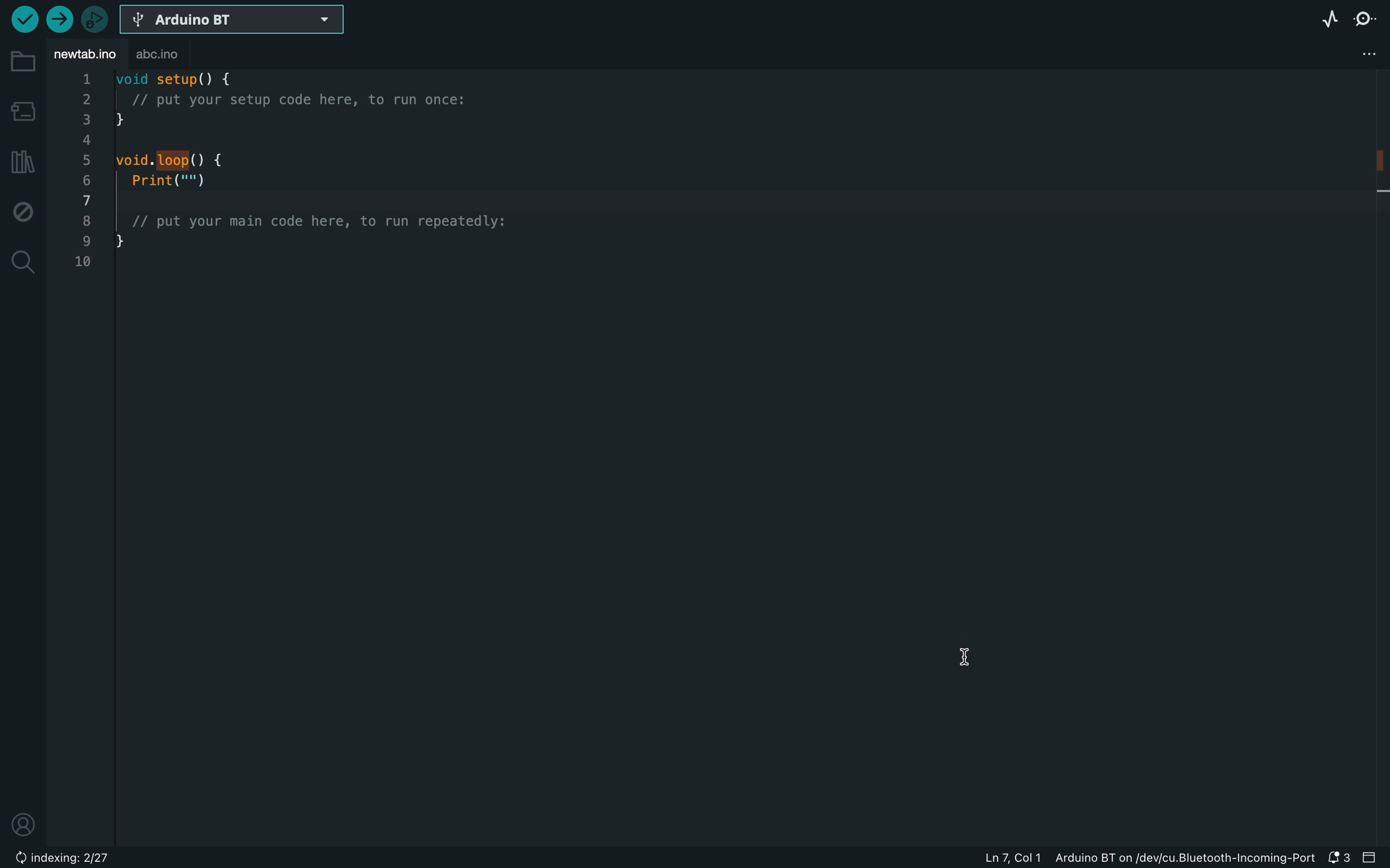 The width and height of the screenshot is (1390, 868). Describe the element at coordinates (23, 160) in the screenshot. I see `library manager` at that location.